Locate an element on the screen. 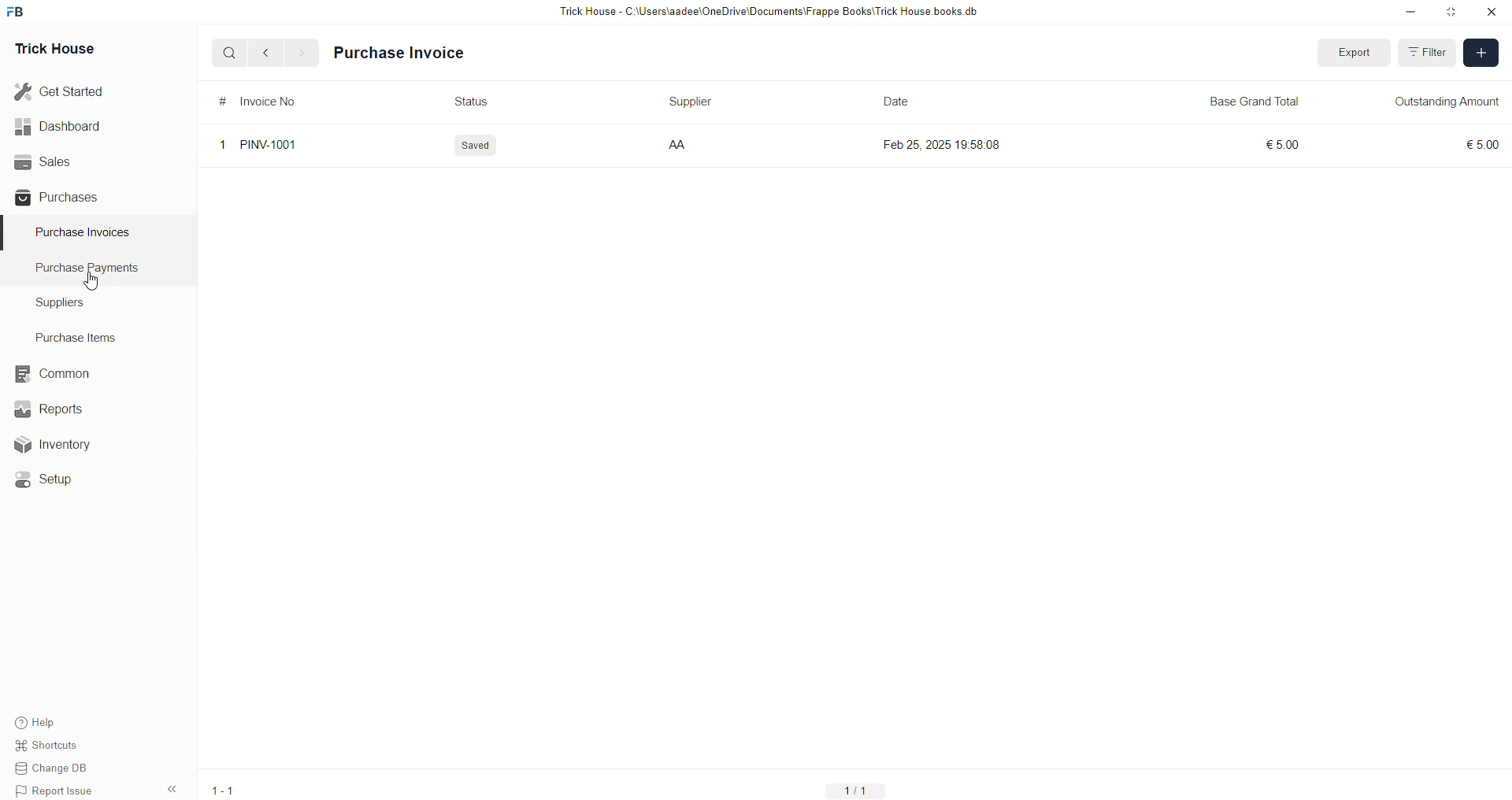 This screenshot has width=1512, height=800. Purchase PaymenTS is located at coordinates (83, 268).